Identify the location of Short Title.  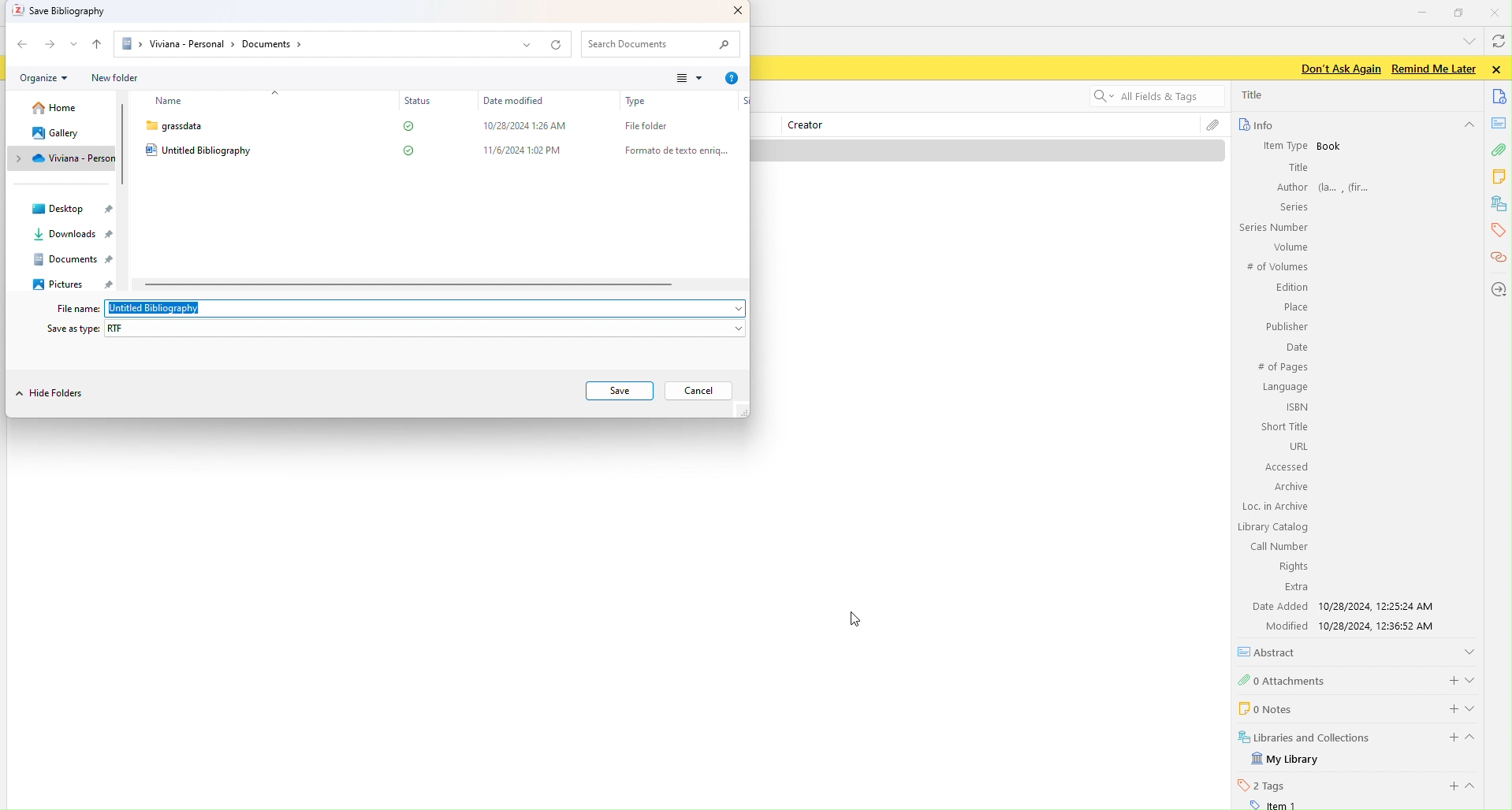
(1286, 426).